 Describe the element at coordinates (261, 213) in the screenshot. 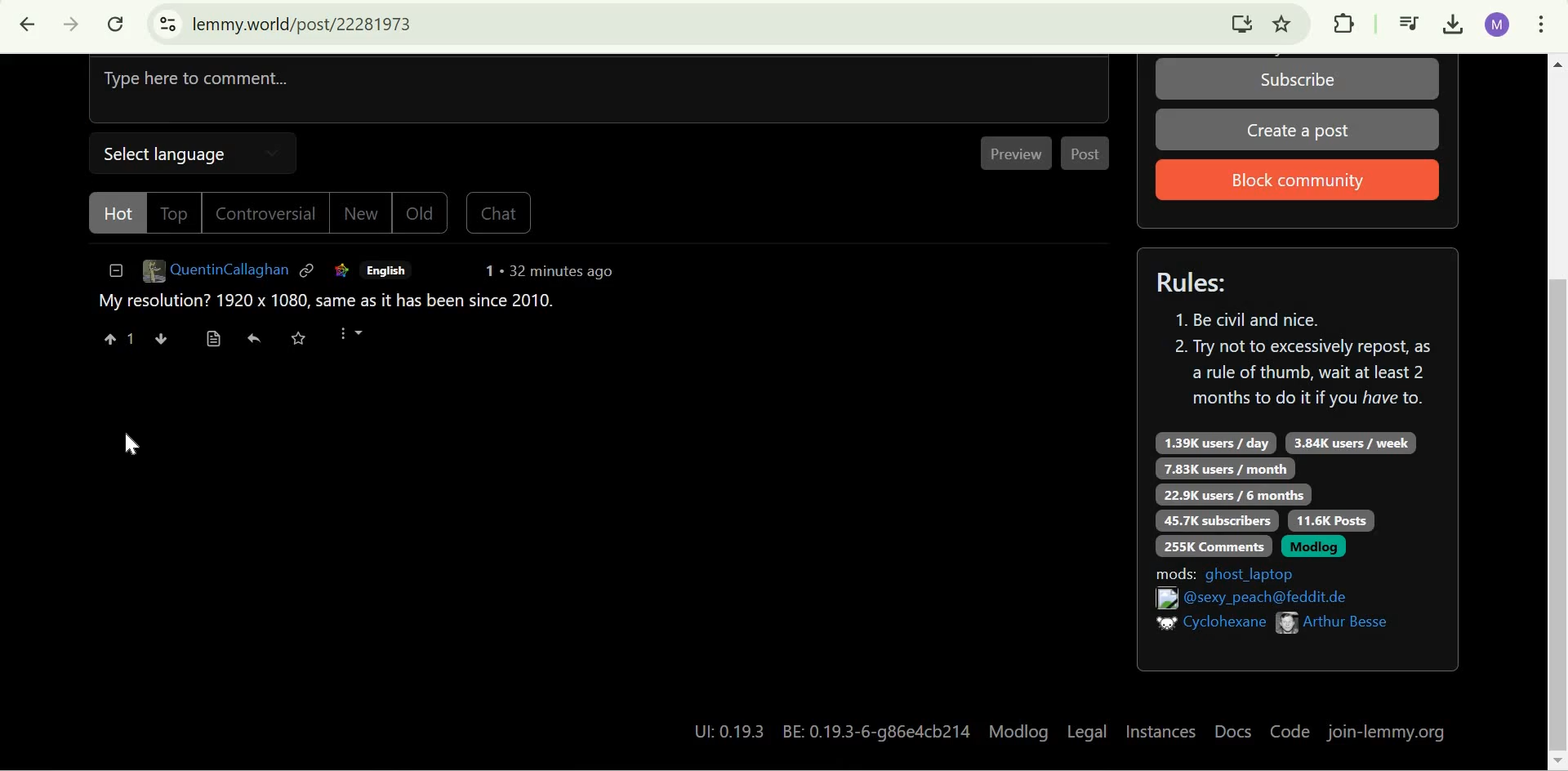

I see `Controversial` at that location.